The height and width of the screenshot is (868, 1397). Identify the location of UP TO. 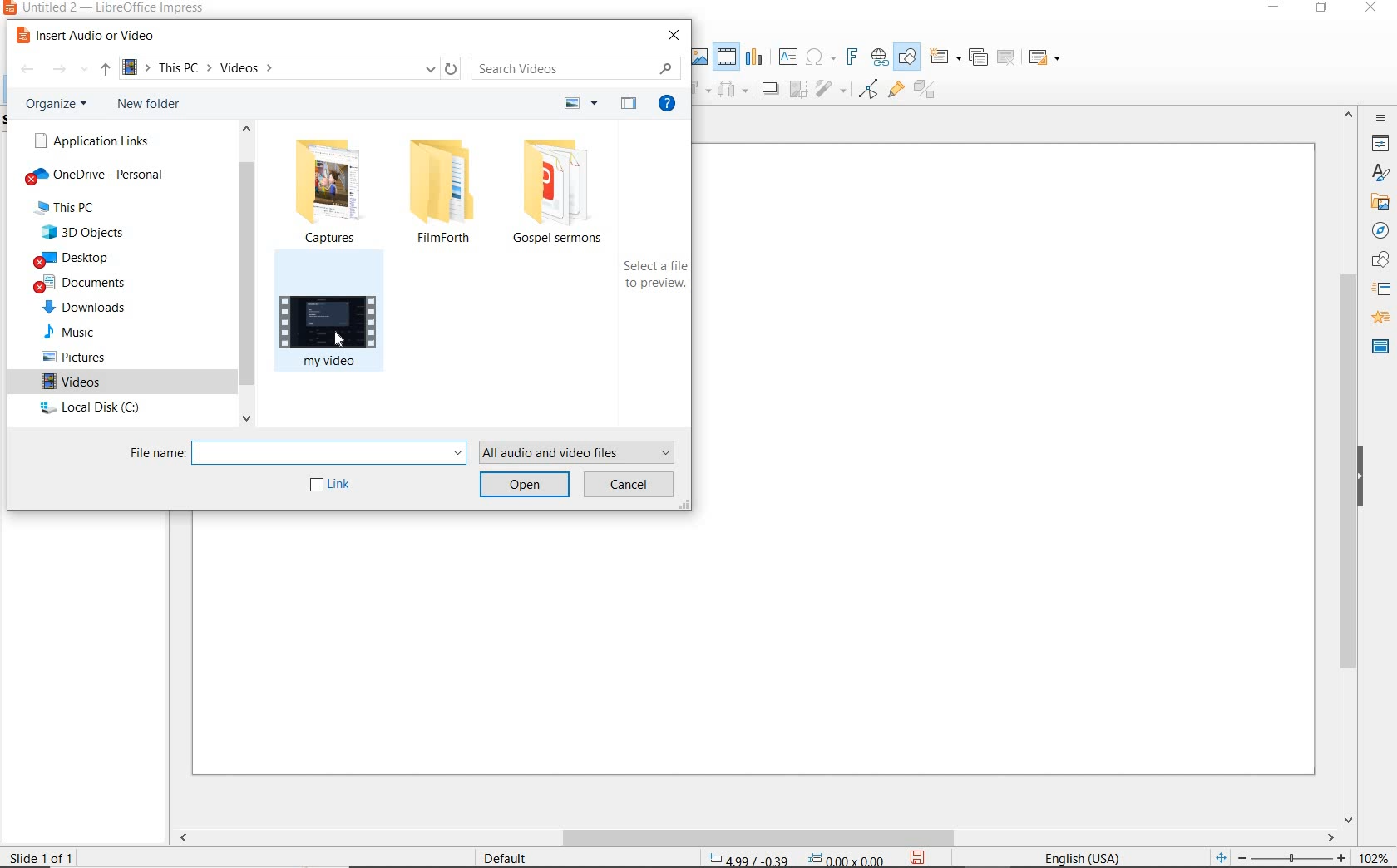
(103, 72).